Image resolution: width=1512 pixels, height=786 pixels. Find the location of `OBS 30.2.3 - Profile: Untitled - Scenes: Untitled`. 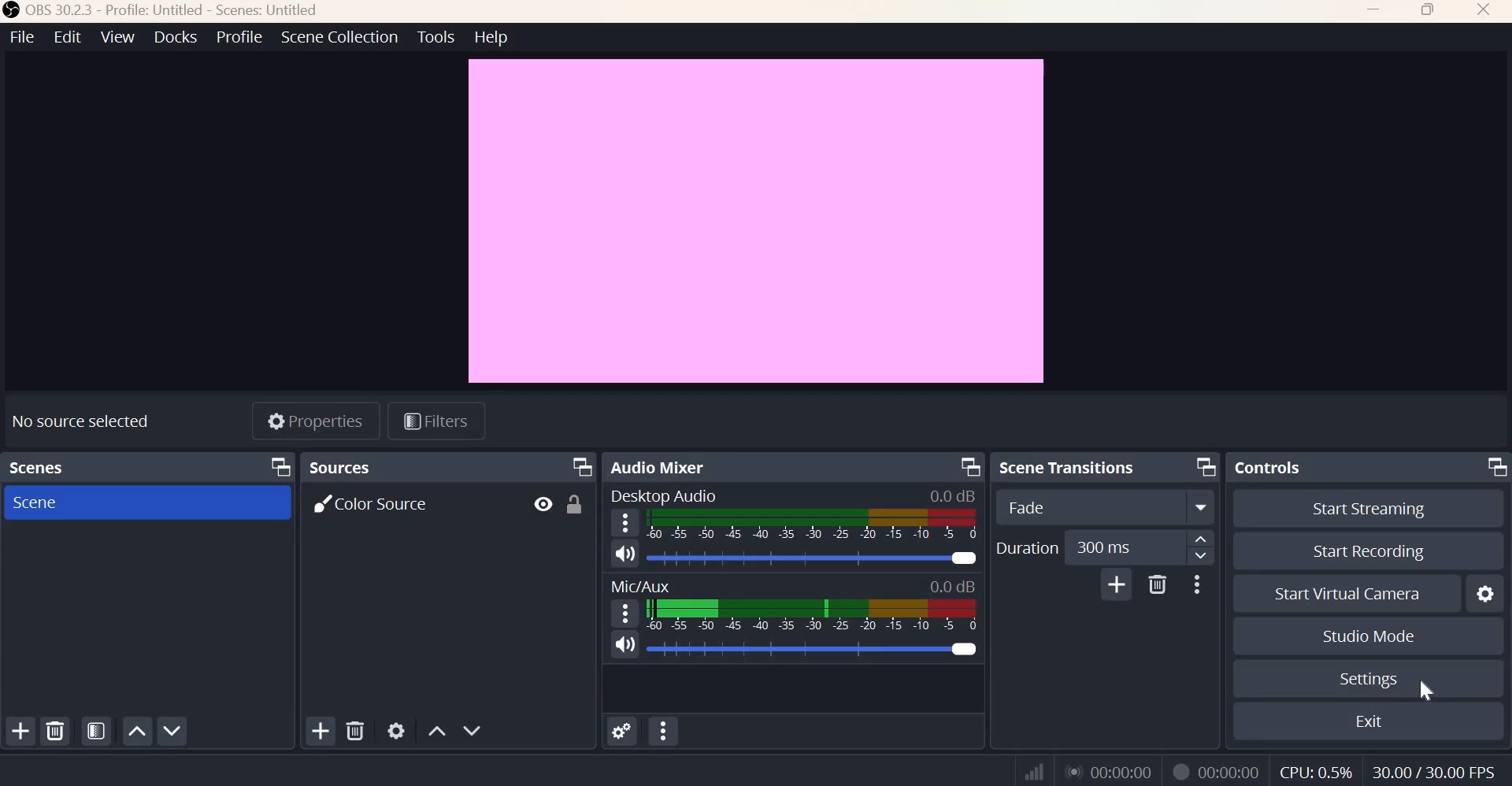

OBS 30.2.3 - Profile: Untitled - Scenes: Untitled is located at coordinates (160, 10).